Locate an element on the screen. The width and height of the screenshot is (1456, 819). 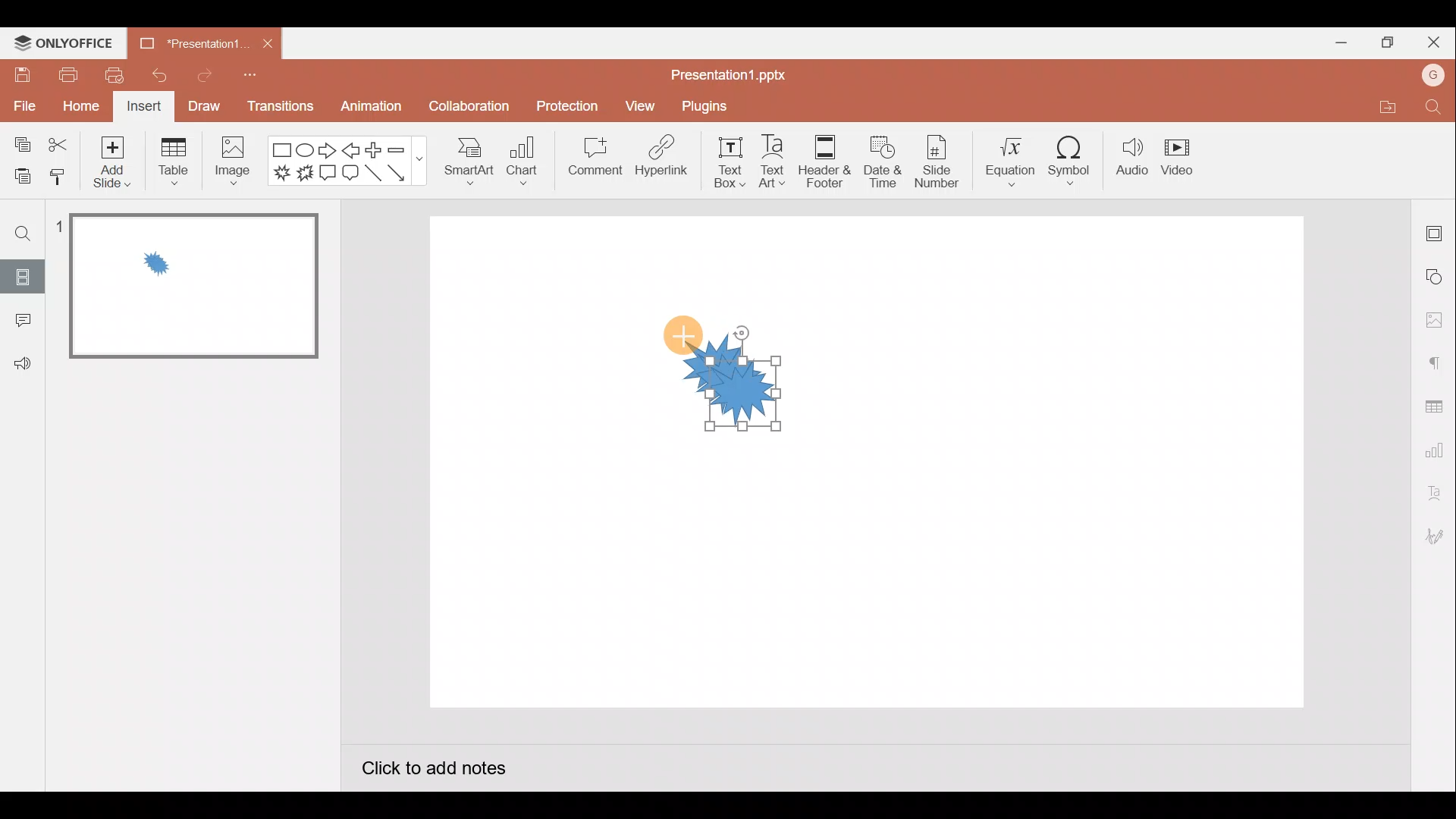
Add slide is located at coordinates (111, 162).